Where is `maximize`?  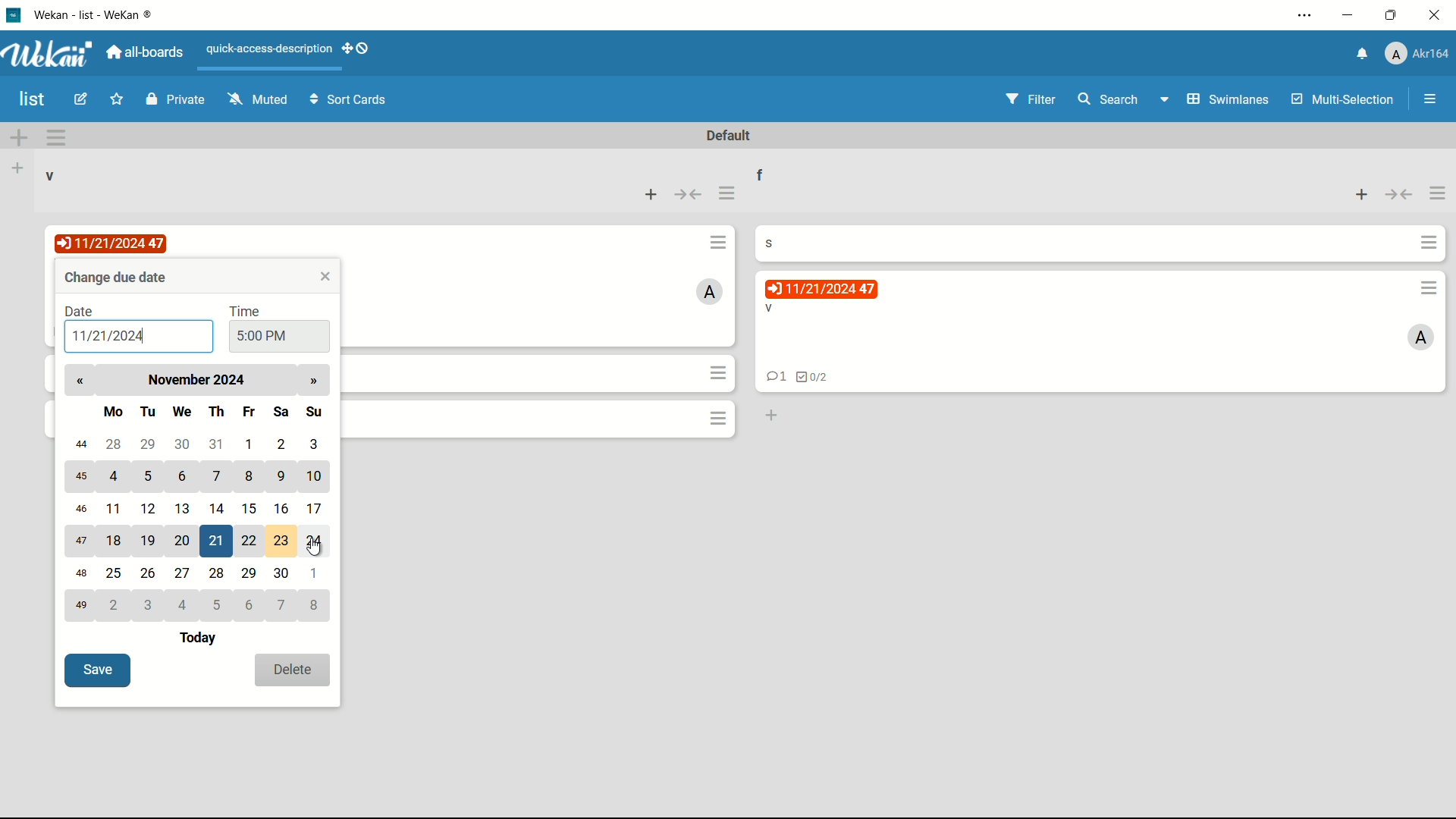
maximize is located at coordinates (1391, 17).